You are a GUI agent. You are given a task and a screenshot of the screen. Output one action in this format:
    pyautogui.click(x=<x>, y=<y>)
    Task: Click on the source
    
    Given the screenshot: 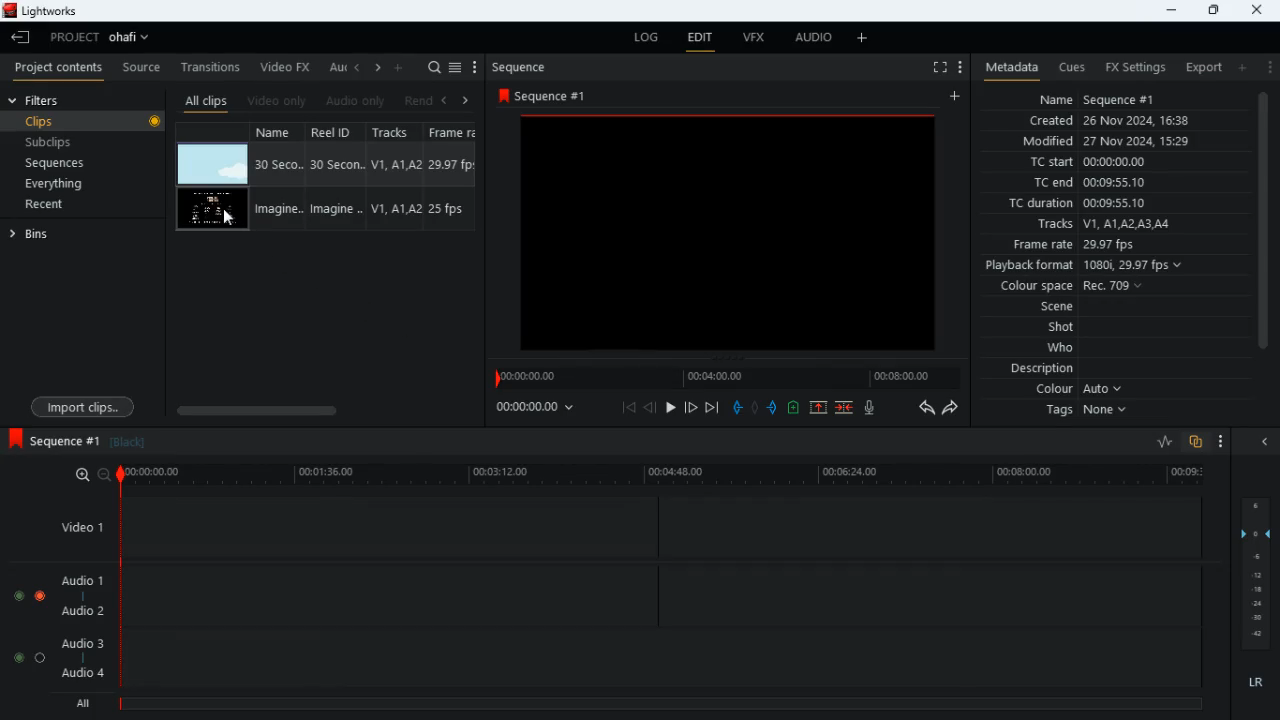 What is the action you would take?
    pyautogui.click(x=141, y=68)
    